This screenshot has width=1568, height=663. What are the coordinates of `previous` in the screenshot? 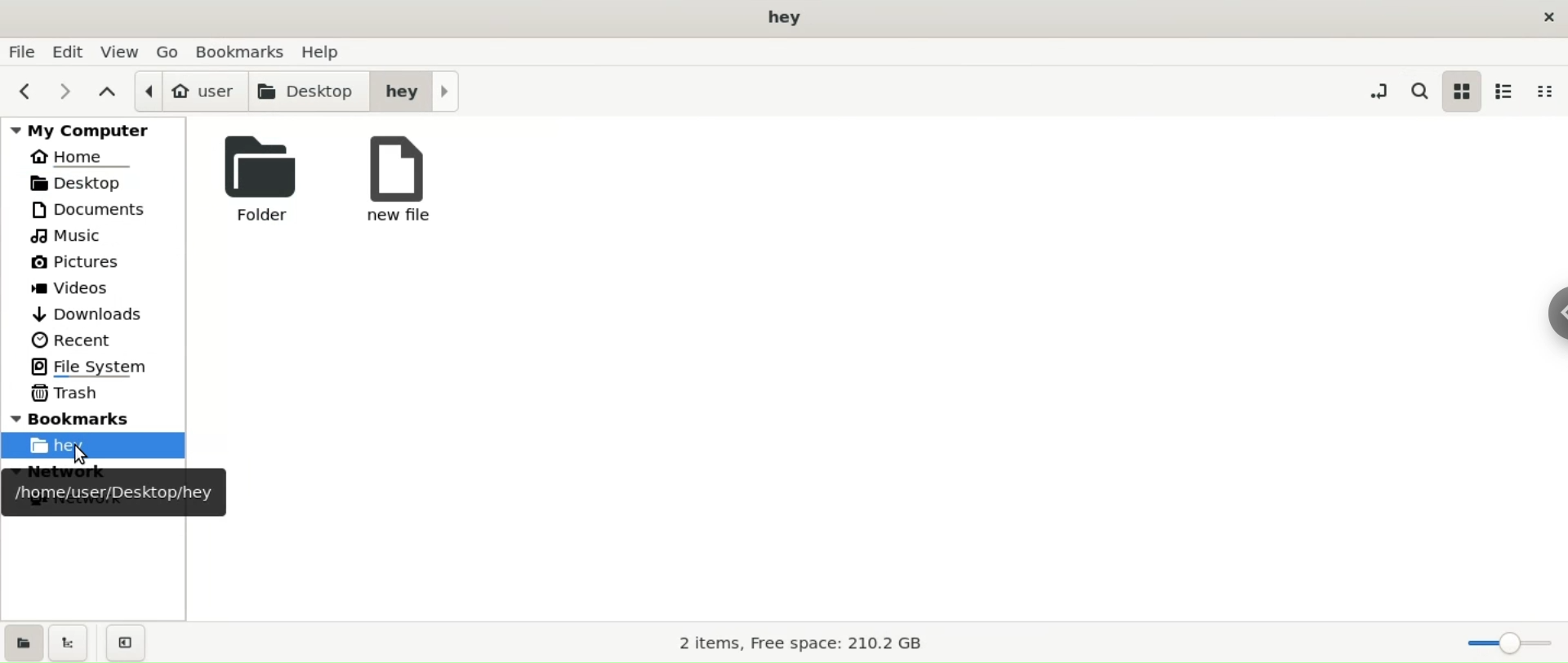 It's located at (25, 90).